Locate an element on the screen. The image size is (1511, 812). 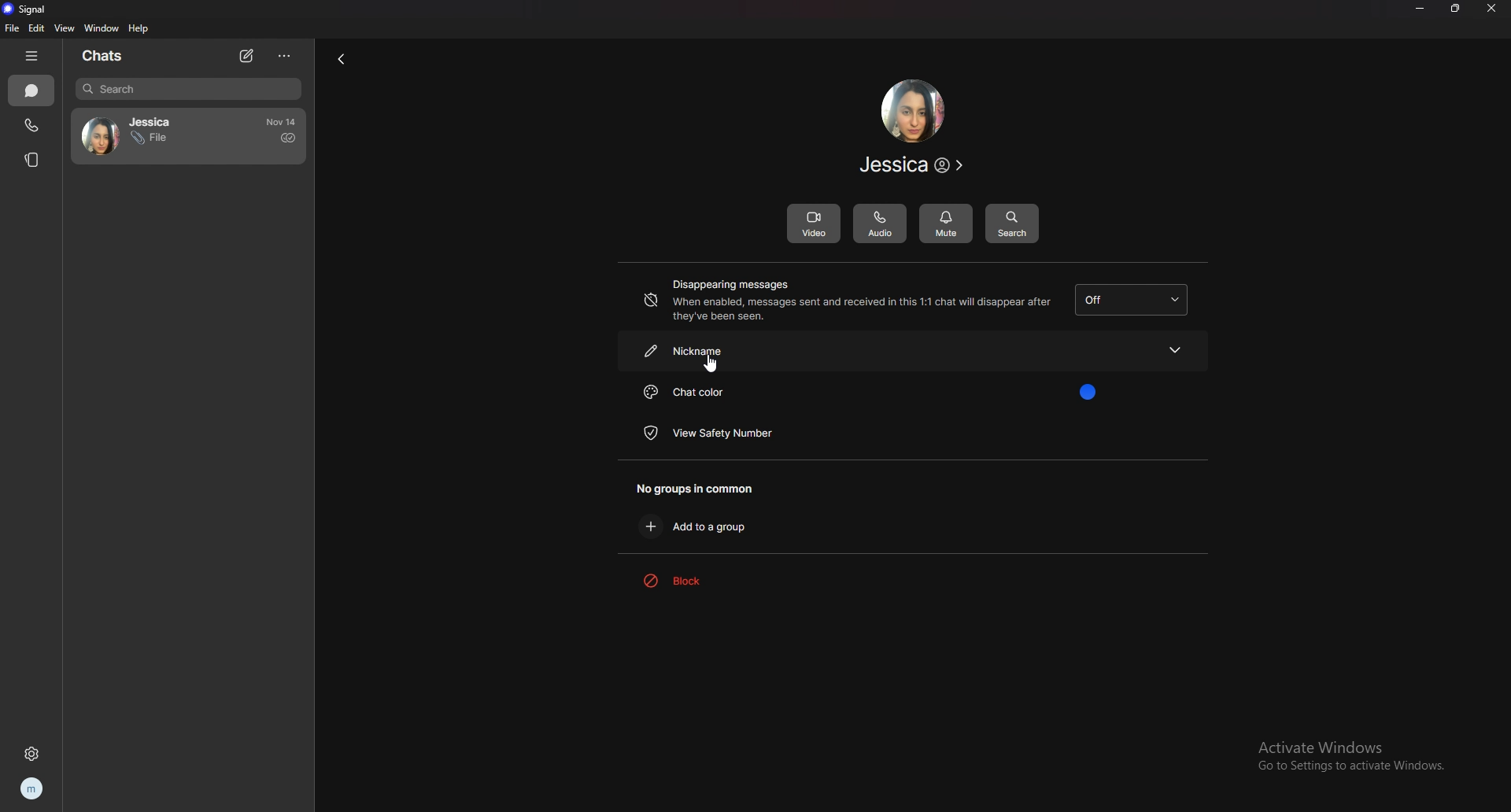
cursor is located at coordinates (711, 365).